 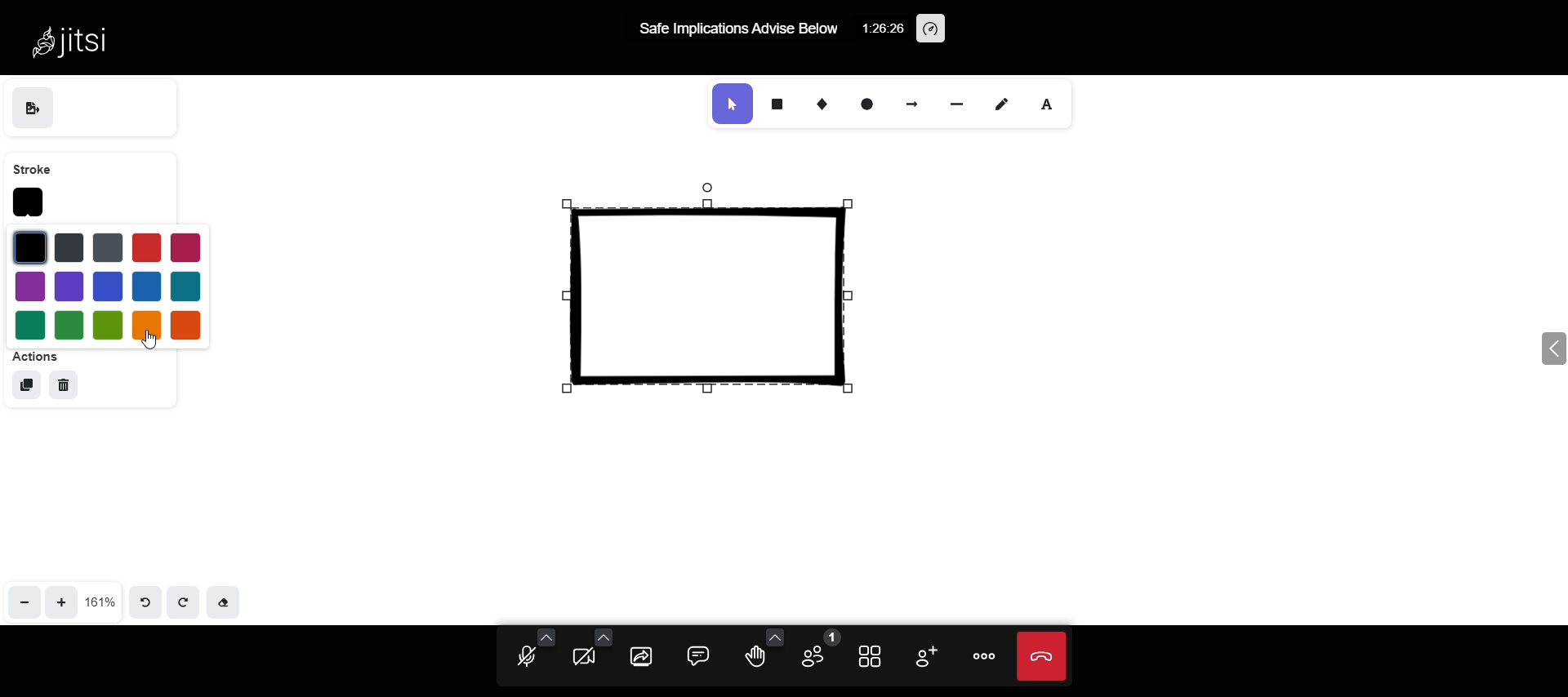 I want to click on cursor, so click(x=155, y=345).